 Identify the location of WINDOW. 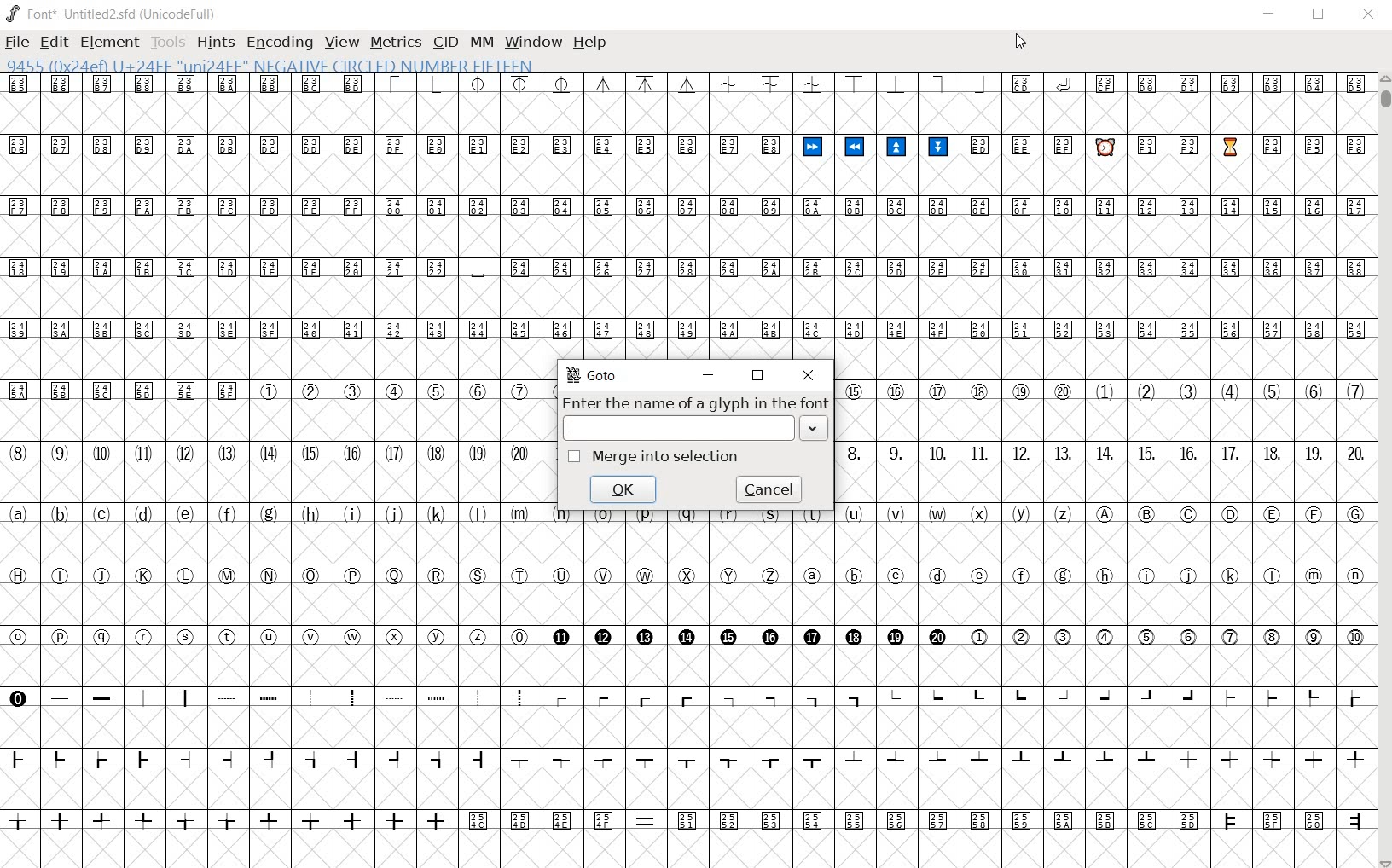
(532, 41).